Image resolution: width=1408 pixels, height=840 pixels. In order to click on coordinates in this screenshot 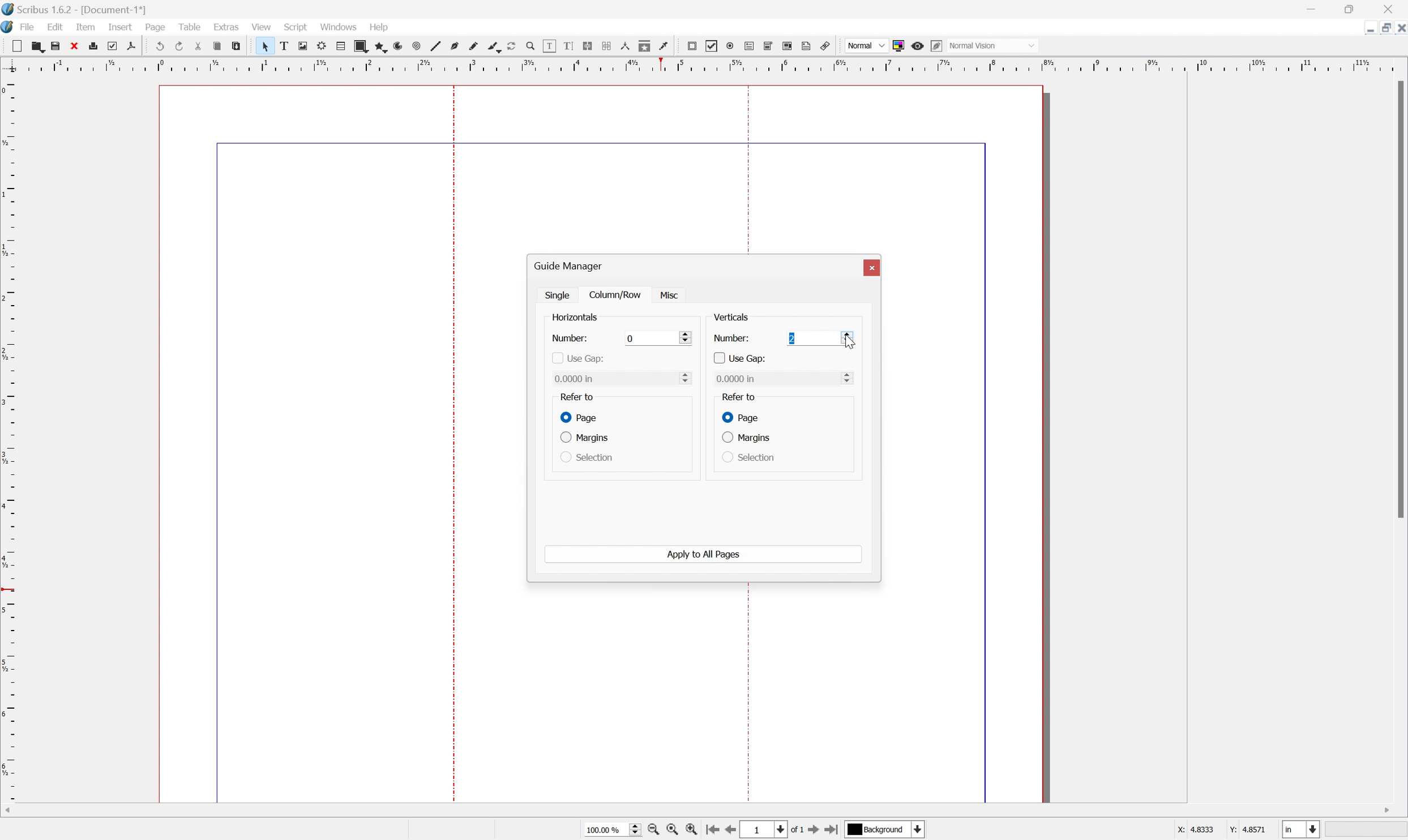, I will do `click(1222, 832)`.